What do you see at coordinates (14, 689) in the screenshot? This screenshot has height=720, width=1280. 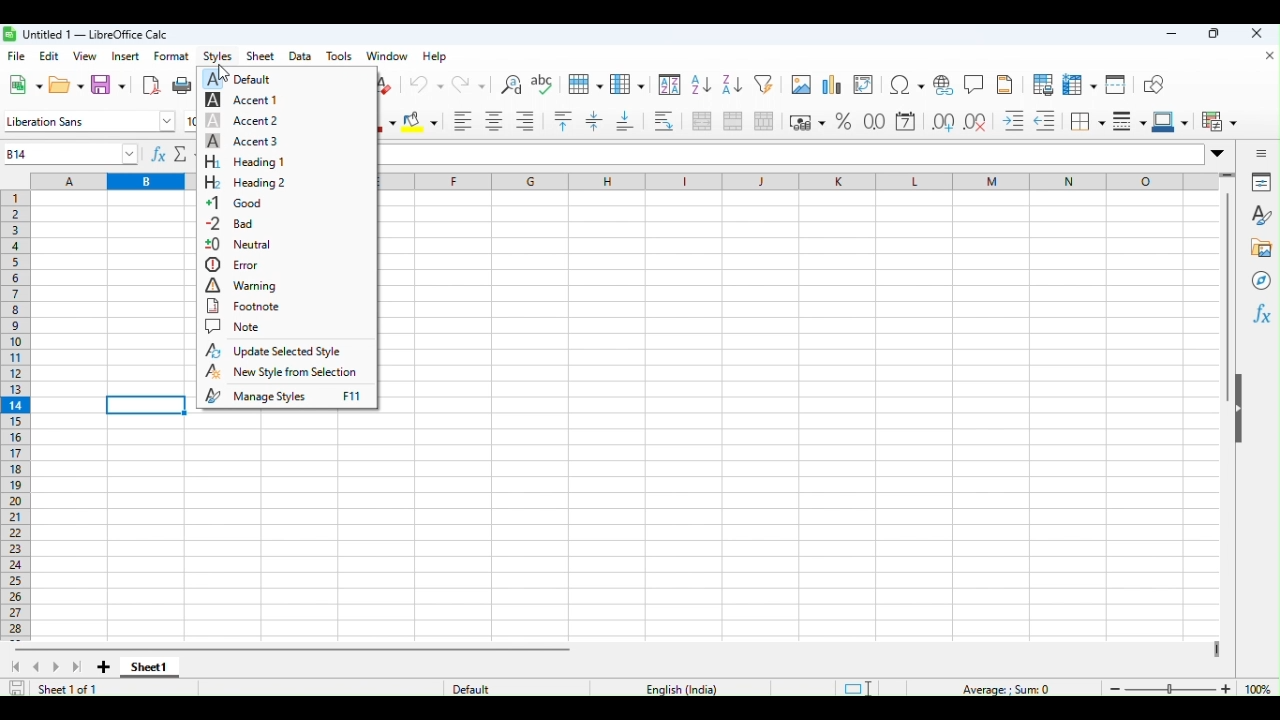 I see `save` at bounding box center [14, 689].